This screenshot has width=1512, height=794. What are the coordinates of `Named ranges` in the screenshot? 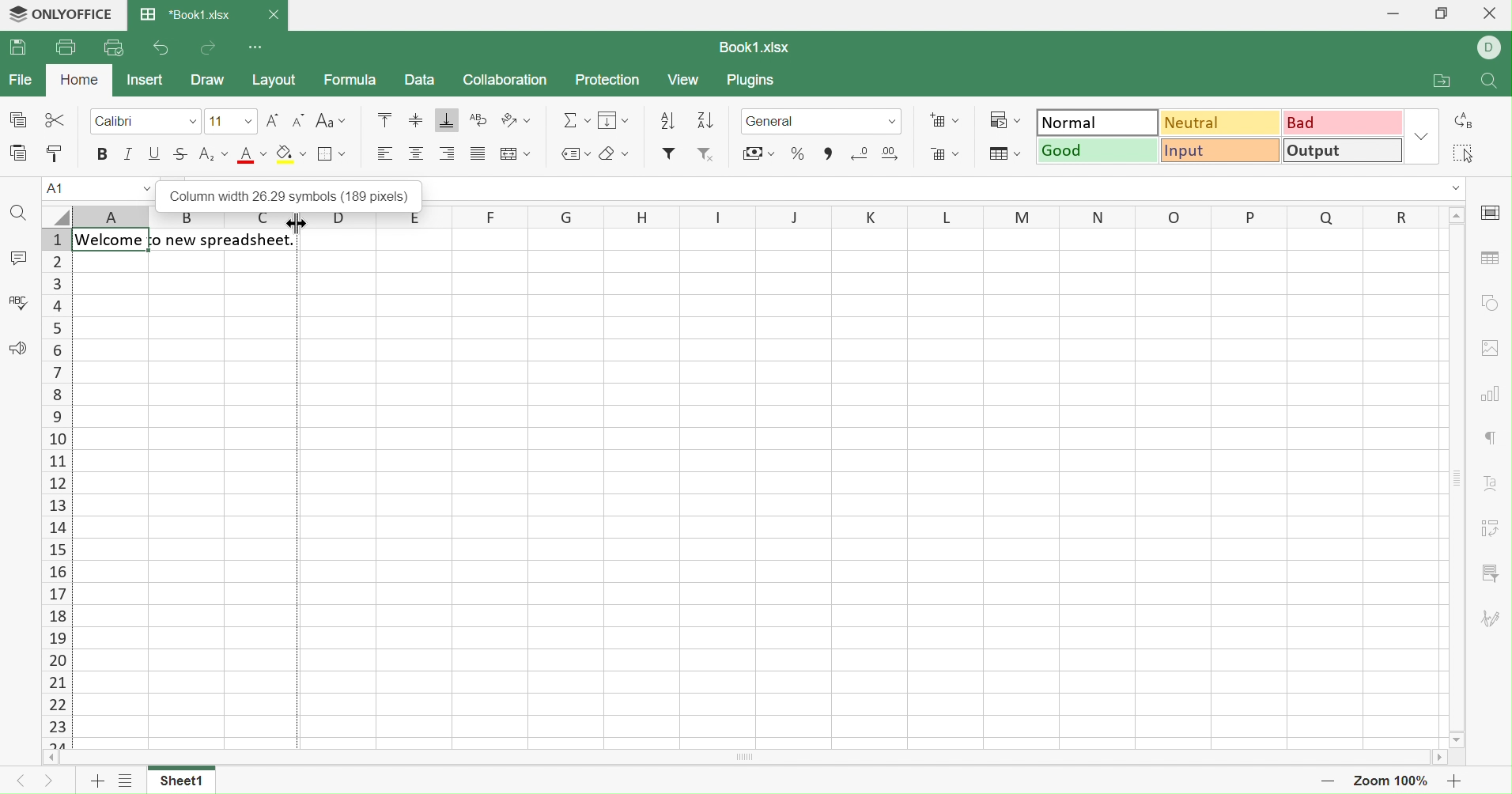 It's located at (576, 154).